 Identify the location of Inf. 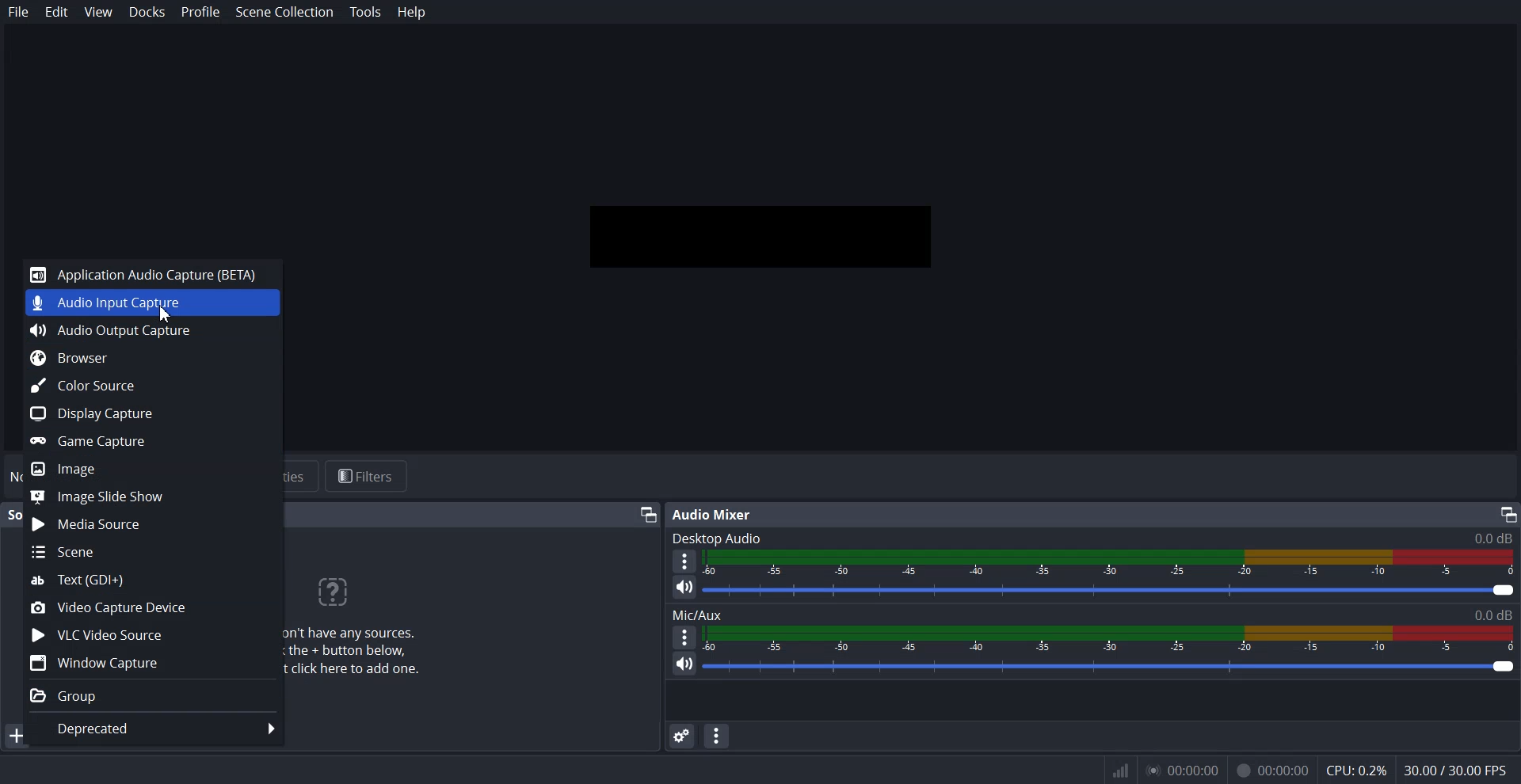
(1121, 771).